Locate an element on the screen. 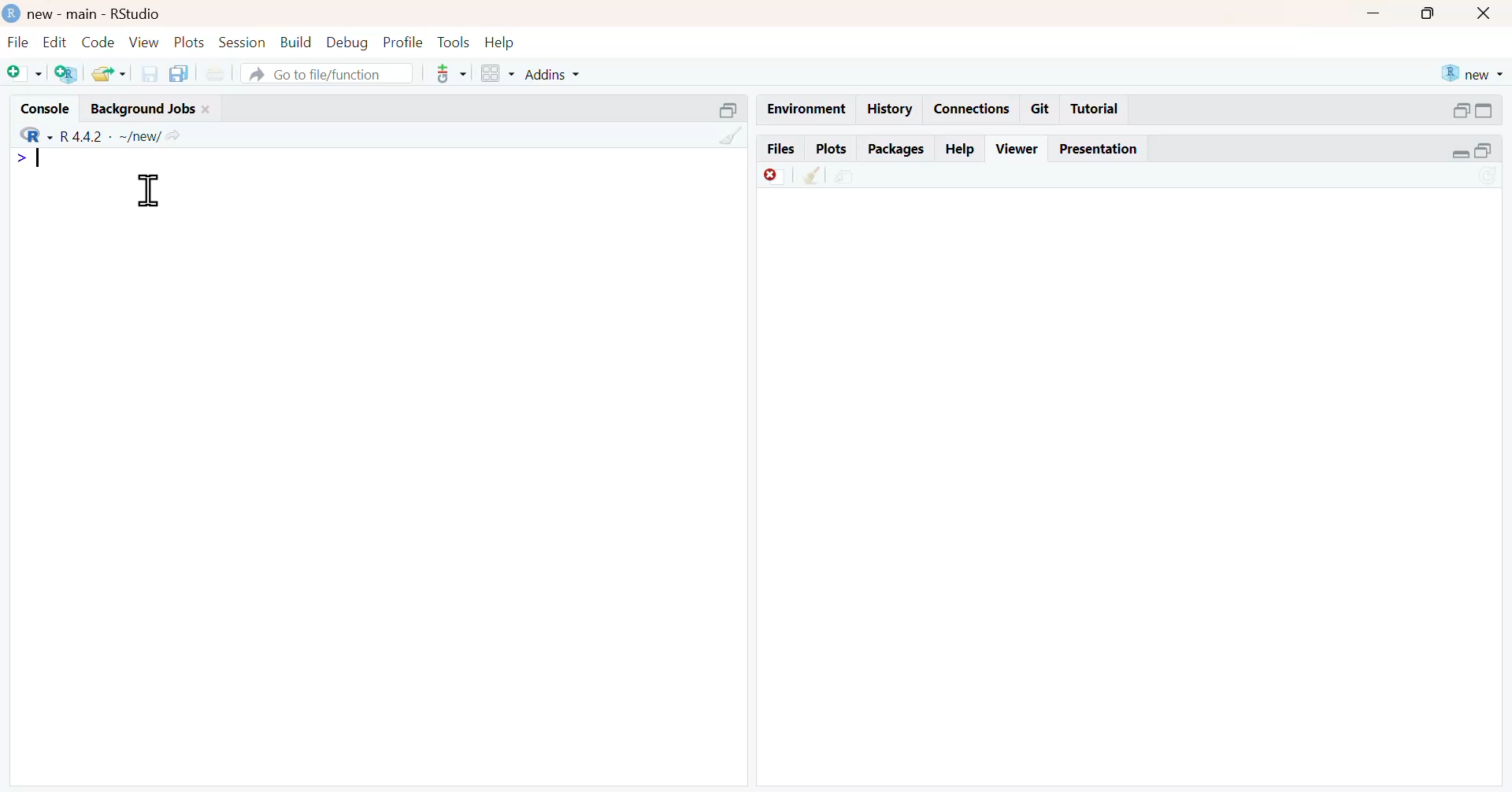 Image resolution: width=1512 pixels, height=792 pixels. environment is located at coordinates (803, 108).